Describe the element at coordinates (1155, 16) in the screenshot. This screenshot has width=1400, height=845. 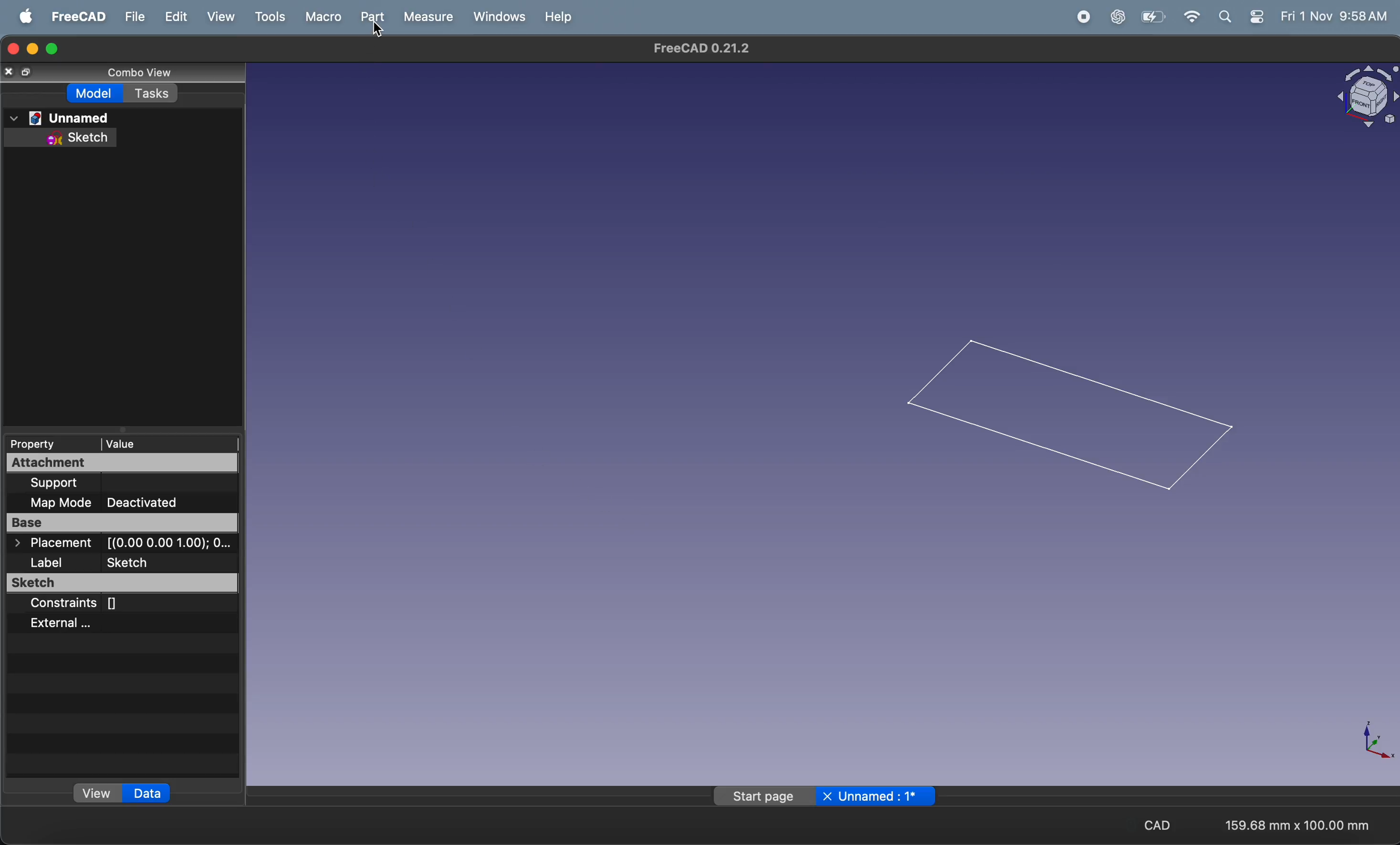
I see `battery` at that location.